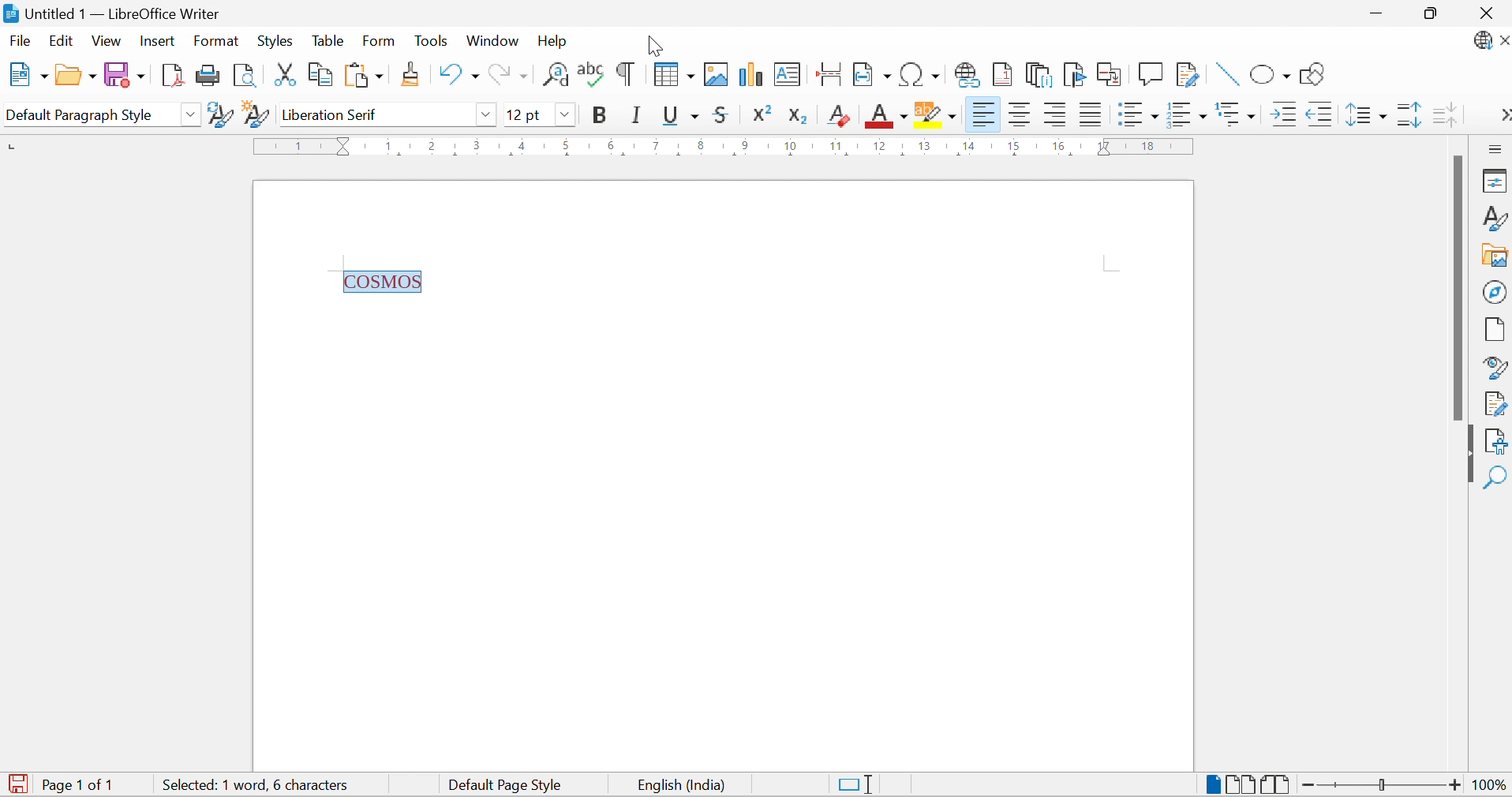  I want to click on Accessibility Check, so click(1497, 440).